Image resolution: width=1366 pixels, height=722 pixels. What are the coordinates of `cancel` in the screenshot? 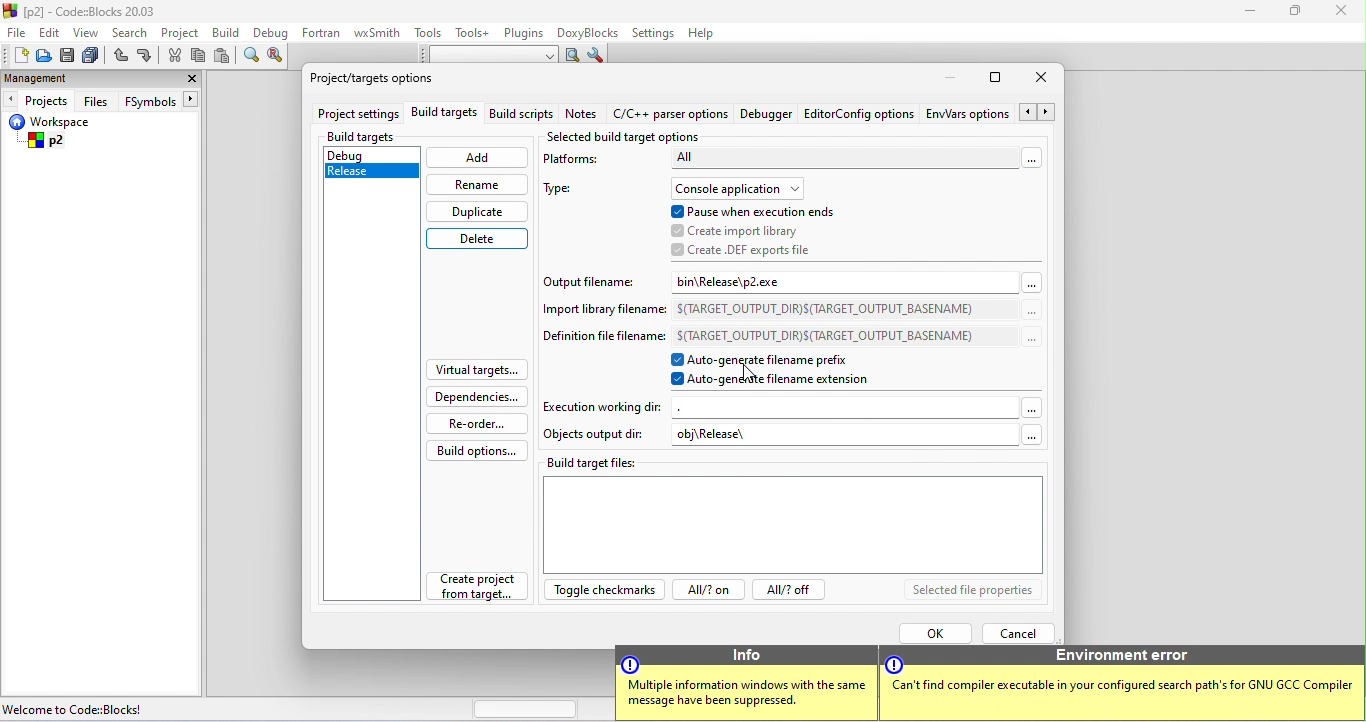 It's located at (1020, 633).